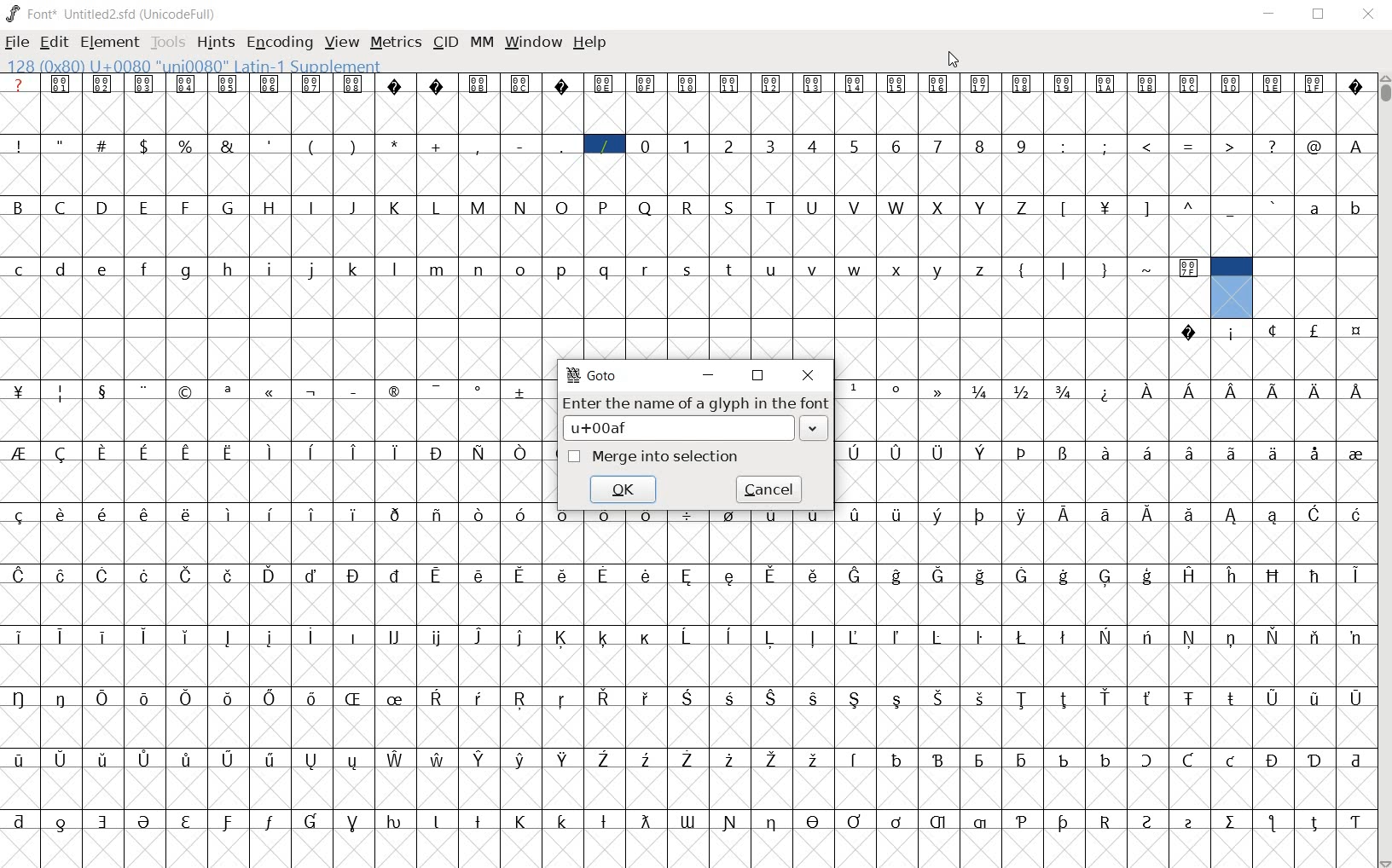  What do you see at coordinates (899, 391) in the screenshot?
I see `Symbol` at bounding box center [899, 391].